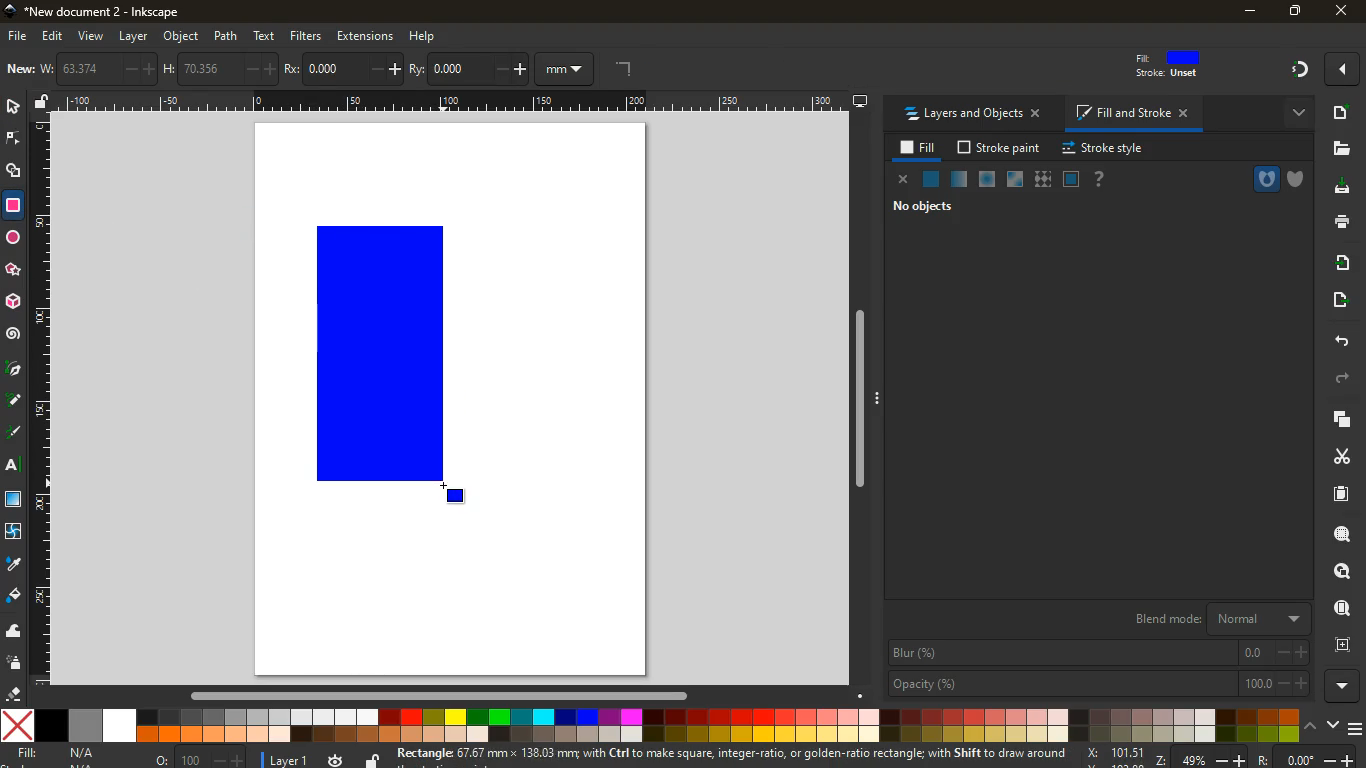 The image size is (1366, 768). I want to click on new, so click(1345, 114).